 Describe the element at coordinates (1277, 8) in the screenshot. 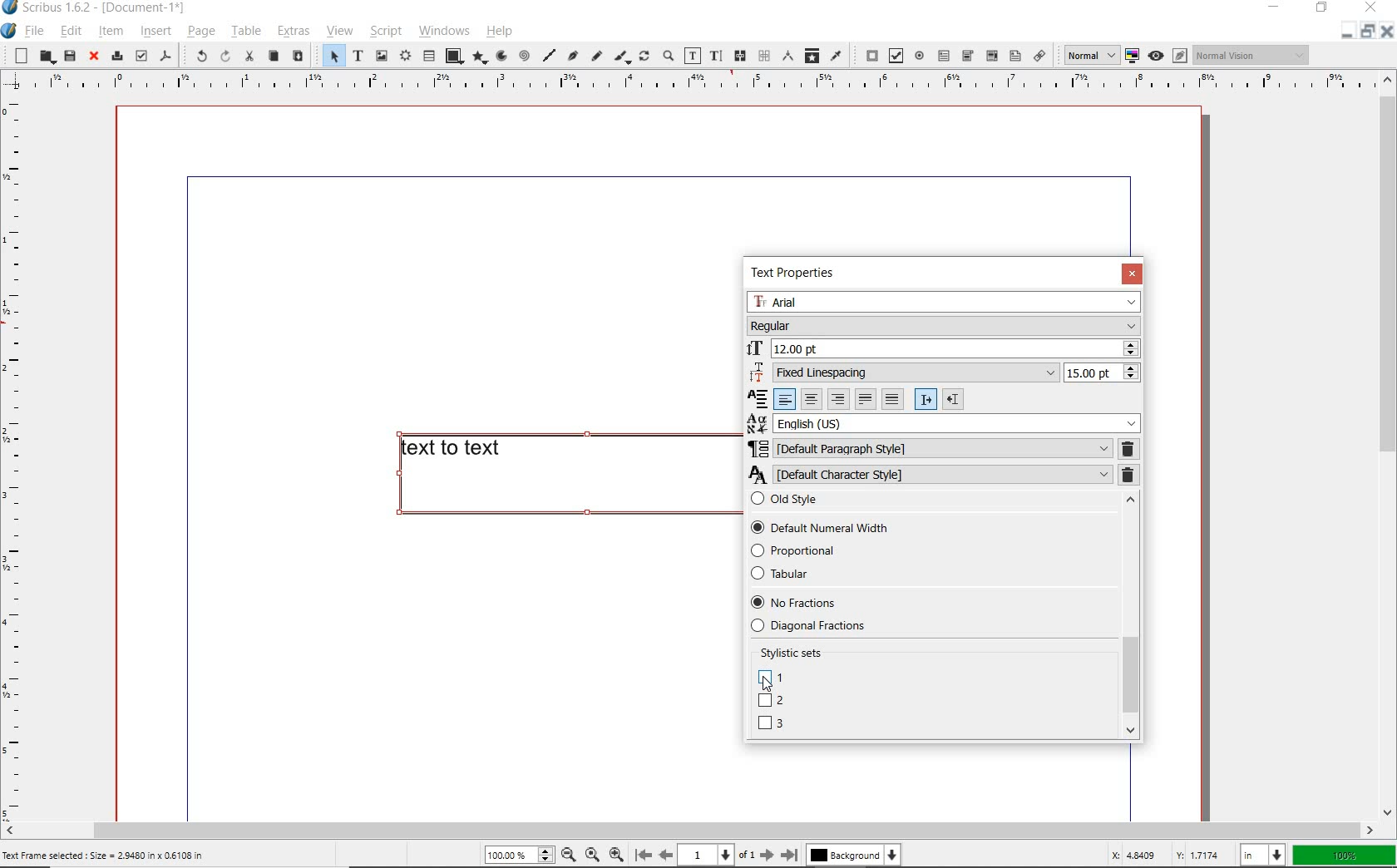

I see `minimize` at that location.